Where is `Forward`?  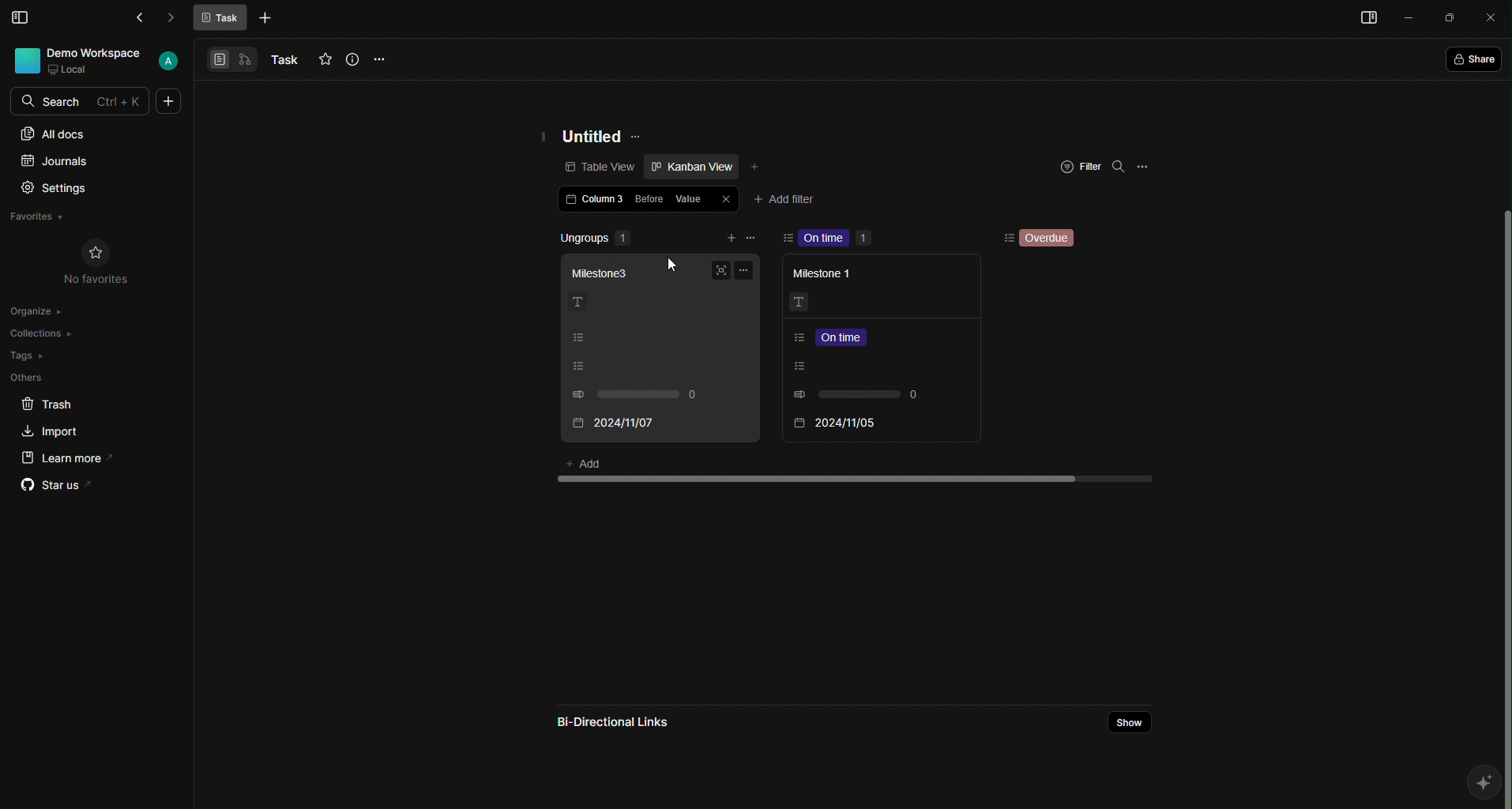
Forward is located at coordinates (169, 18).